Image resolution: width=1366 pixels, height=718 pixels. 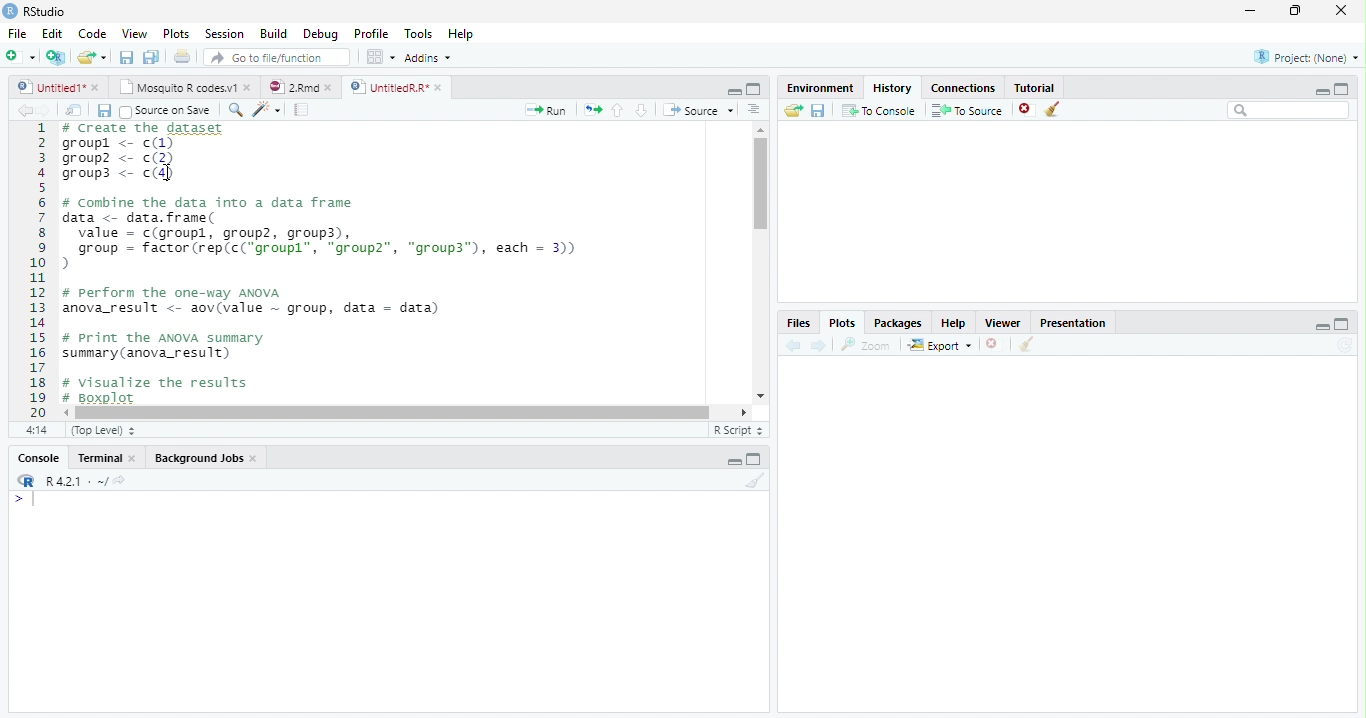 I want to click on Delete file, so click(x=1028, y=109).